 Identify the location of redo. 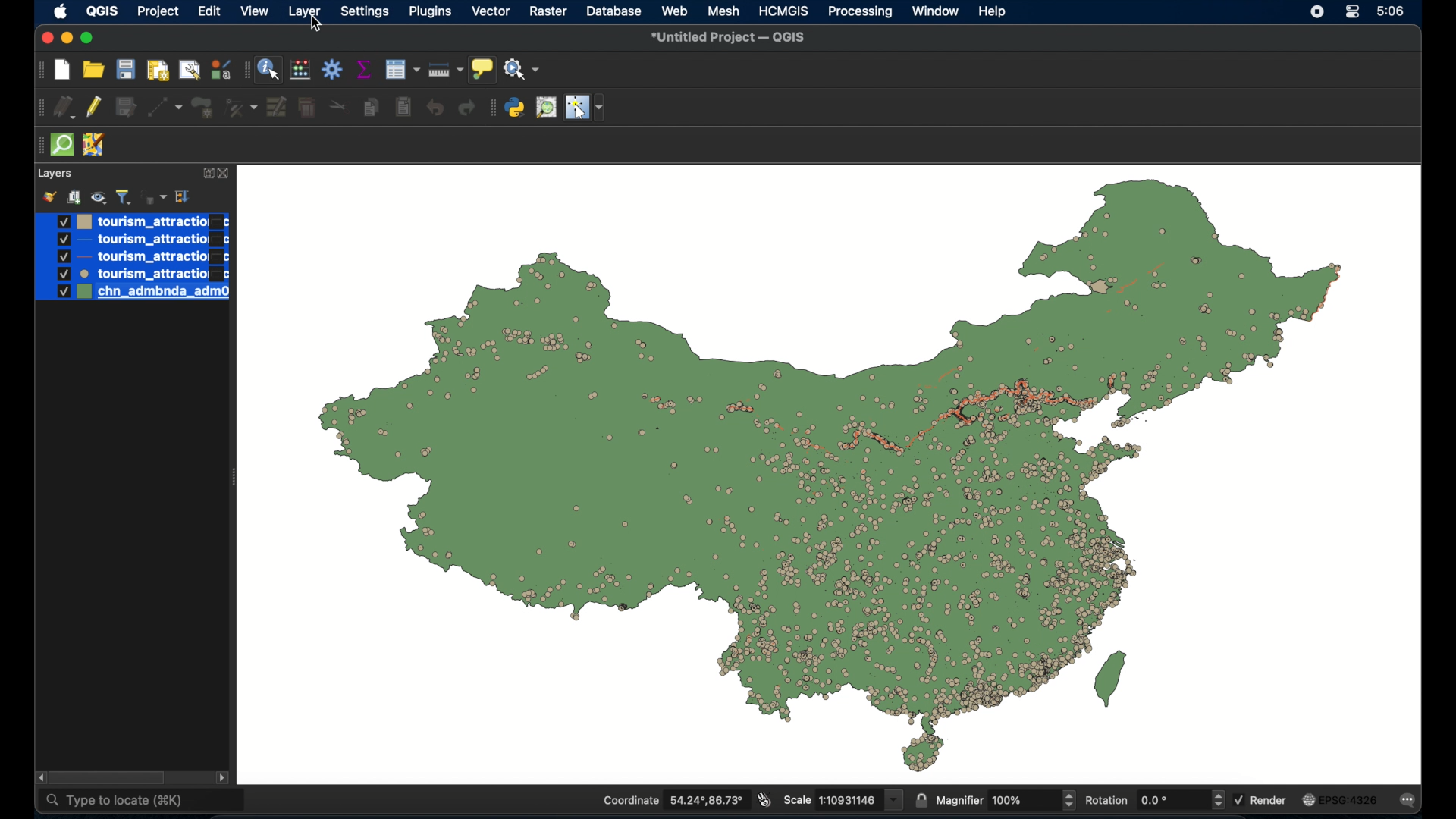
(465, 108).